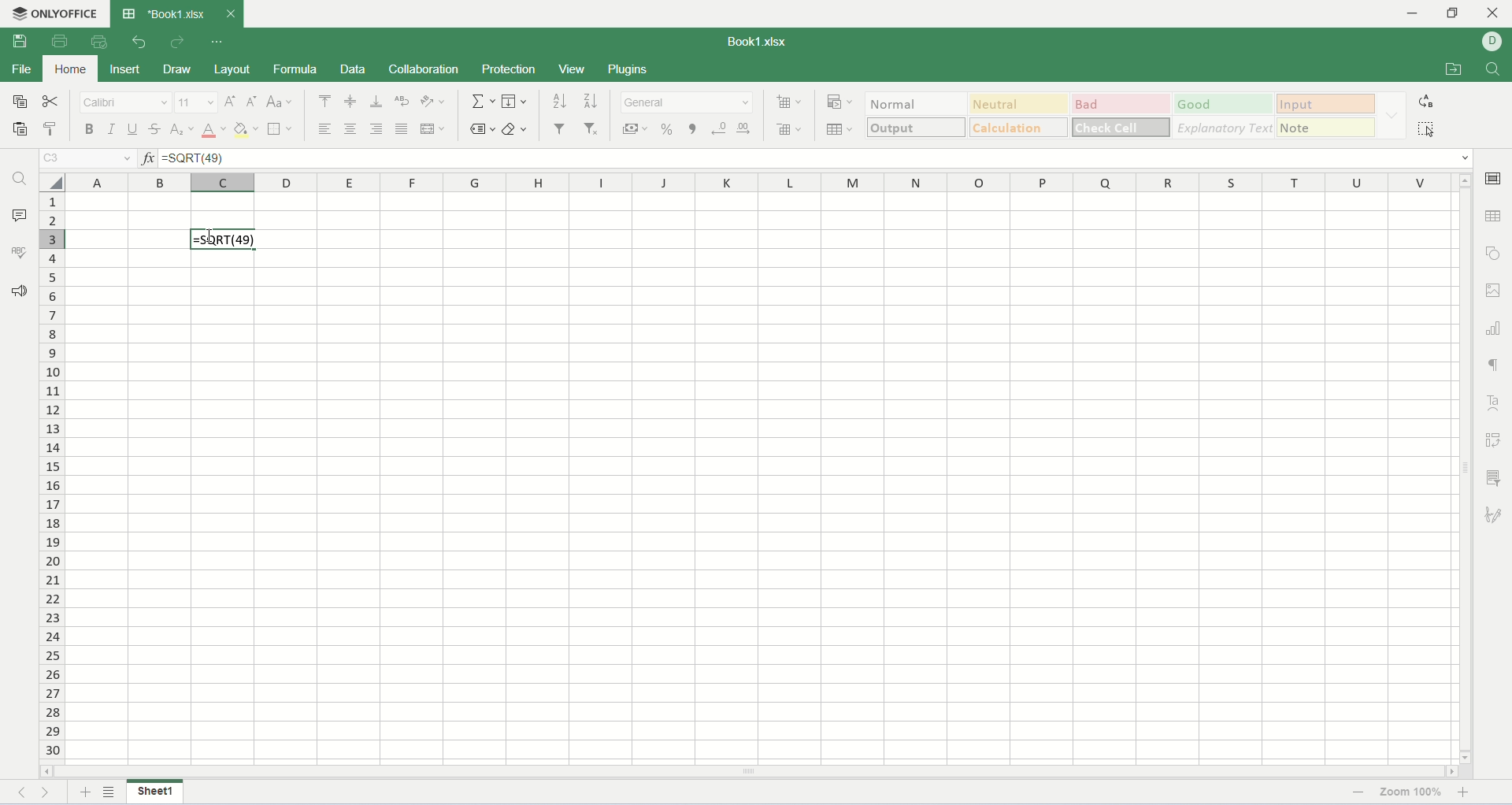  Describe the element at coordinates (1429, 101) in the screenshot. I see `replace` at that location.